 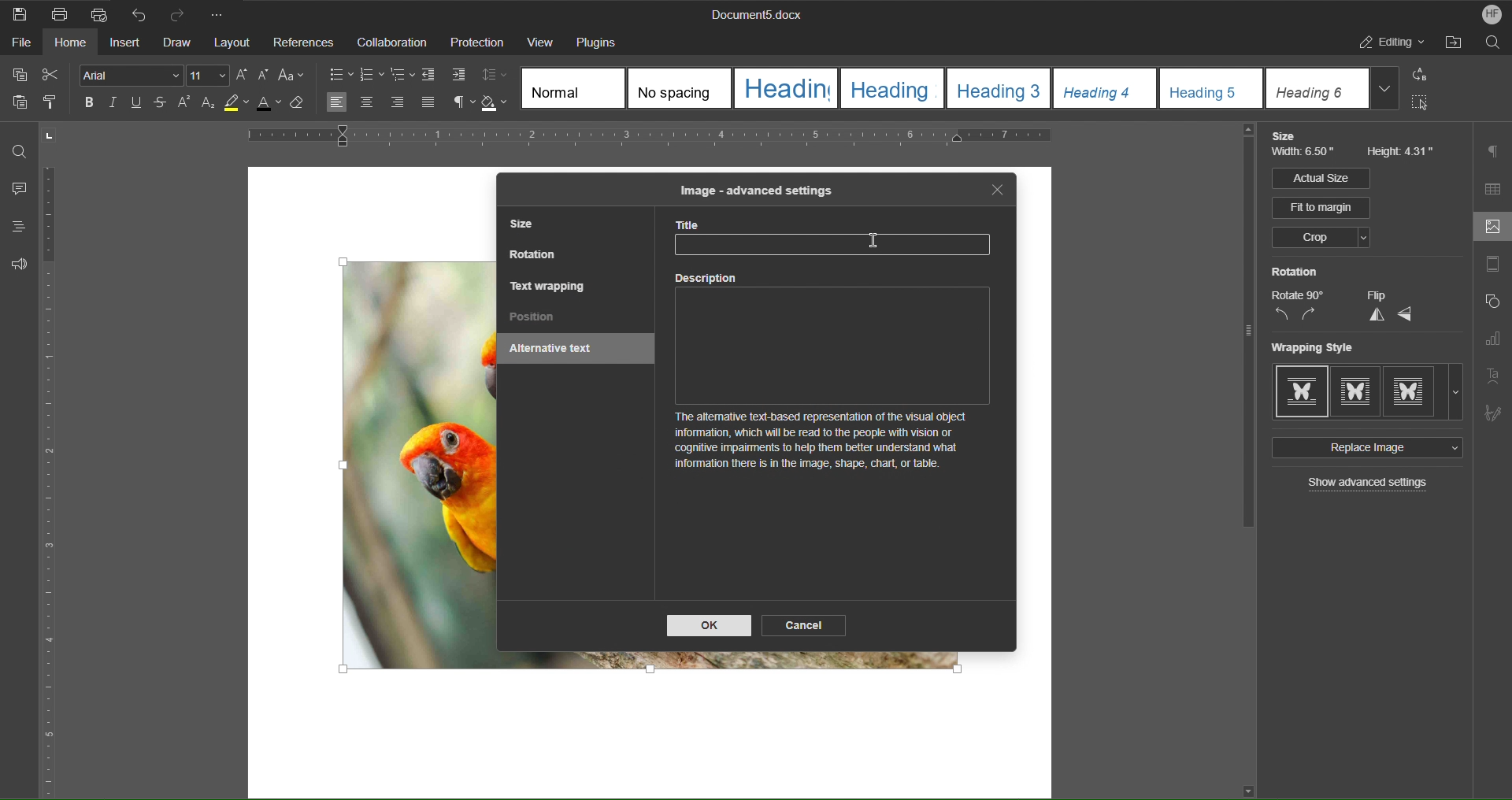 What do you see at coordinates (54, 75) in the screenshot?
I see `Cut` at bounding box center [54, 75].